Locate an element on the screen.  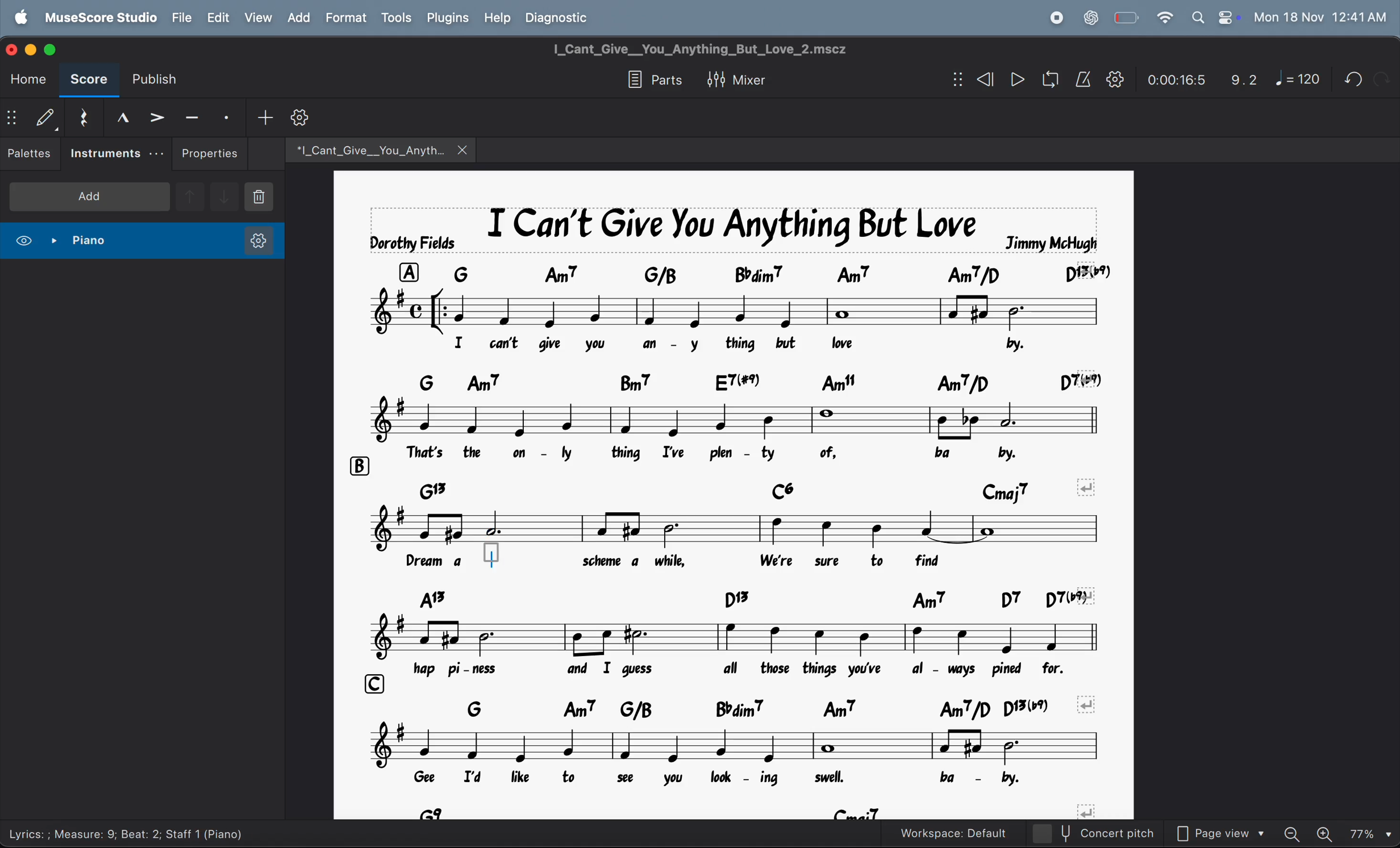
page view is located at coordinates (1218, 831).